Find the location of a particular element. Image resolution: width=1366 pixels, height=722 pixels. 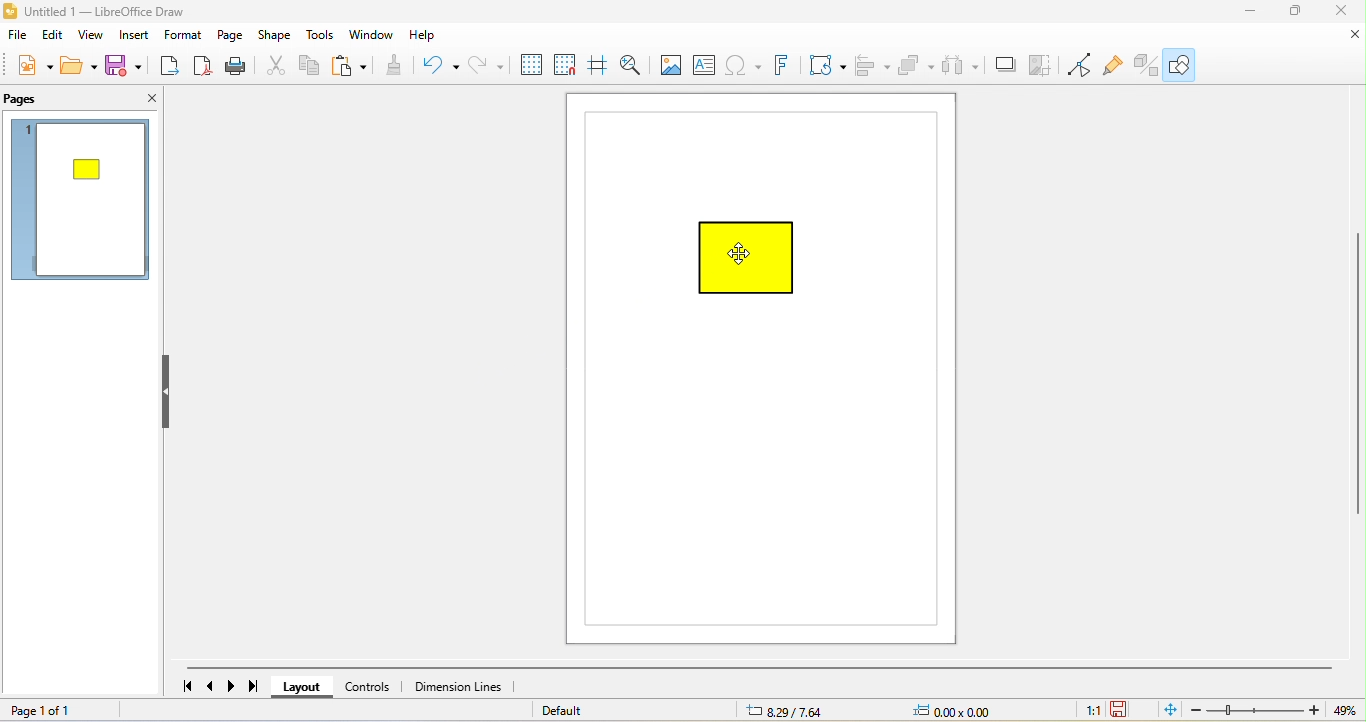

0.00 x0.00 is located at coordinates (969, 709).